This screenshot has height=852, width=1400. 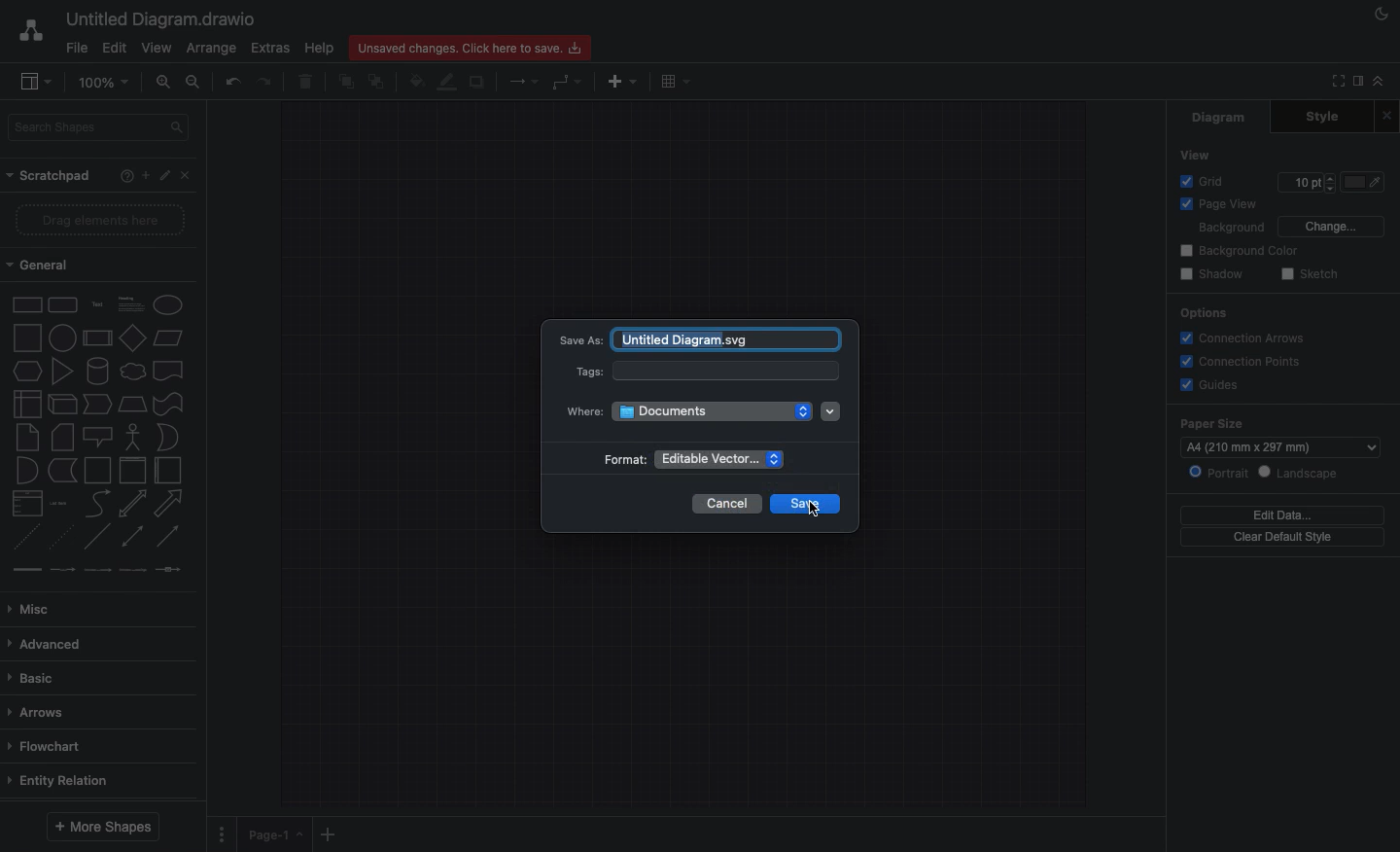 What do you see at coordinates (95, 128) in the screenshot?
I see `Search shapes` at bounding box center [95, 128].